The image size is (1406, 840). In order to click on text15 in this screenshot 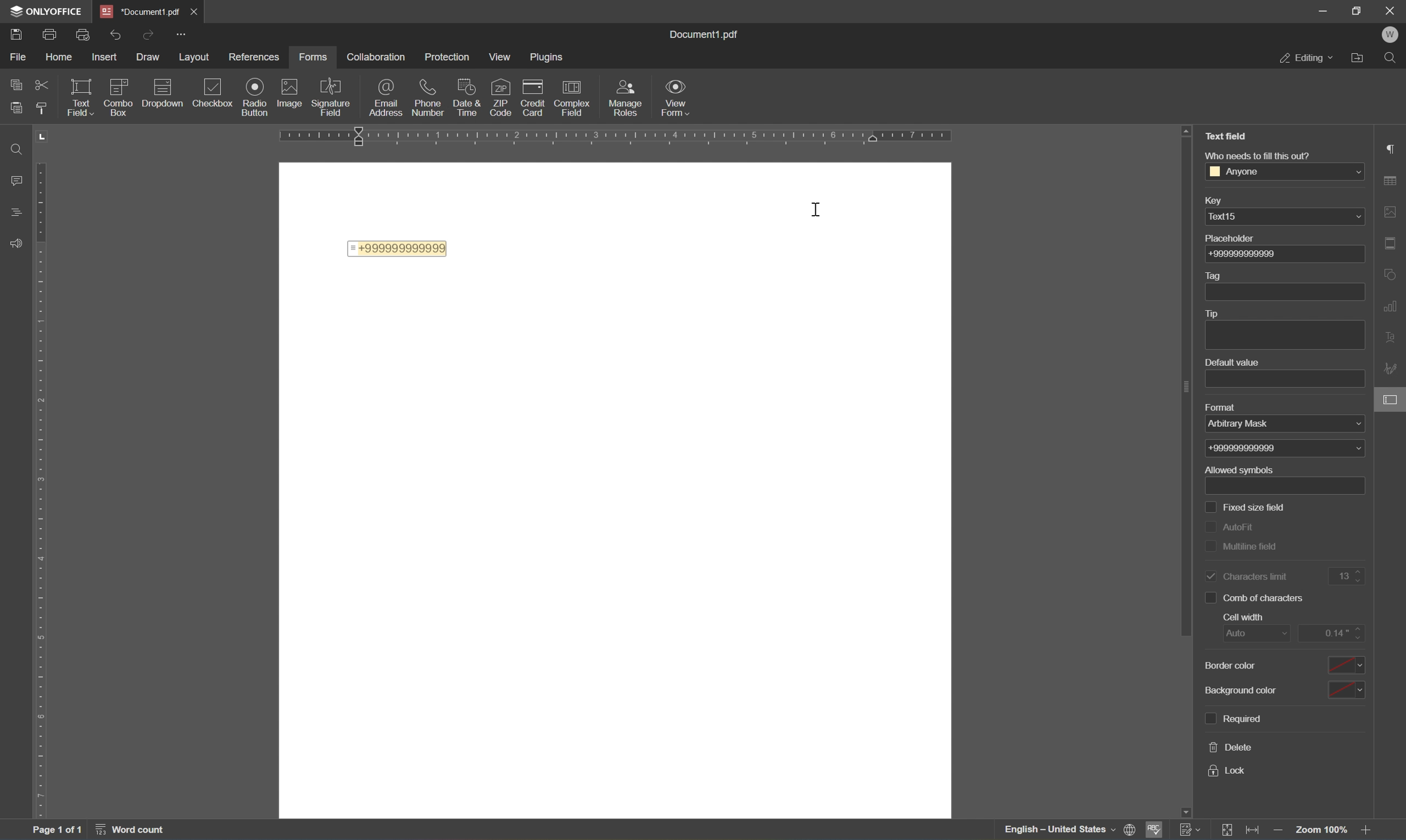, I will do `click(1225, 218)`.